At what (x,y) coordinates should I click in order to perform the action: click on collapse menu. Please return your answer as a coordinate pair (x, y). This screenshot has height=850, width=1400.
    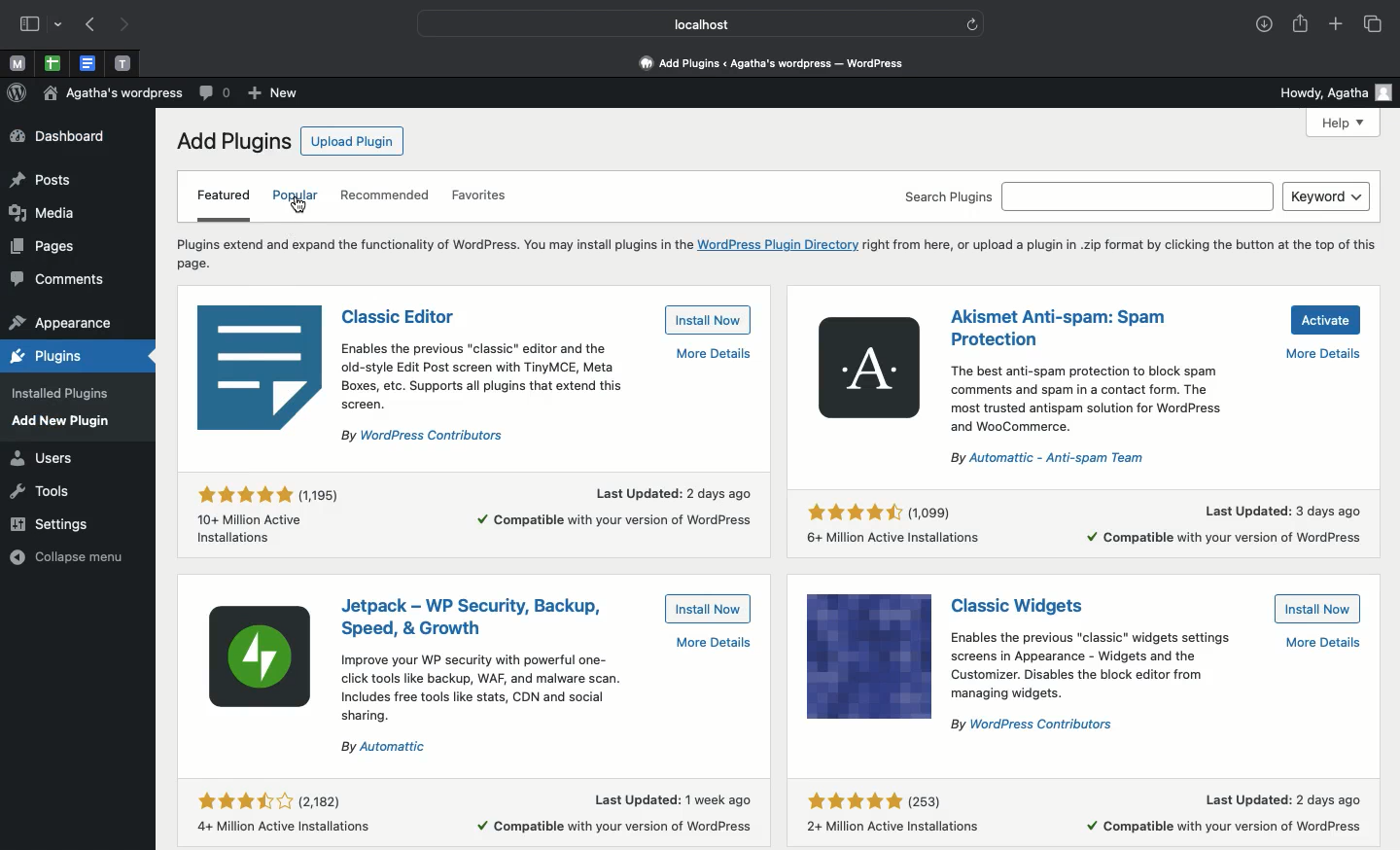
    Looking at the image, I should click on (65, 556).